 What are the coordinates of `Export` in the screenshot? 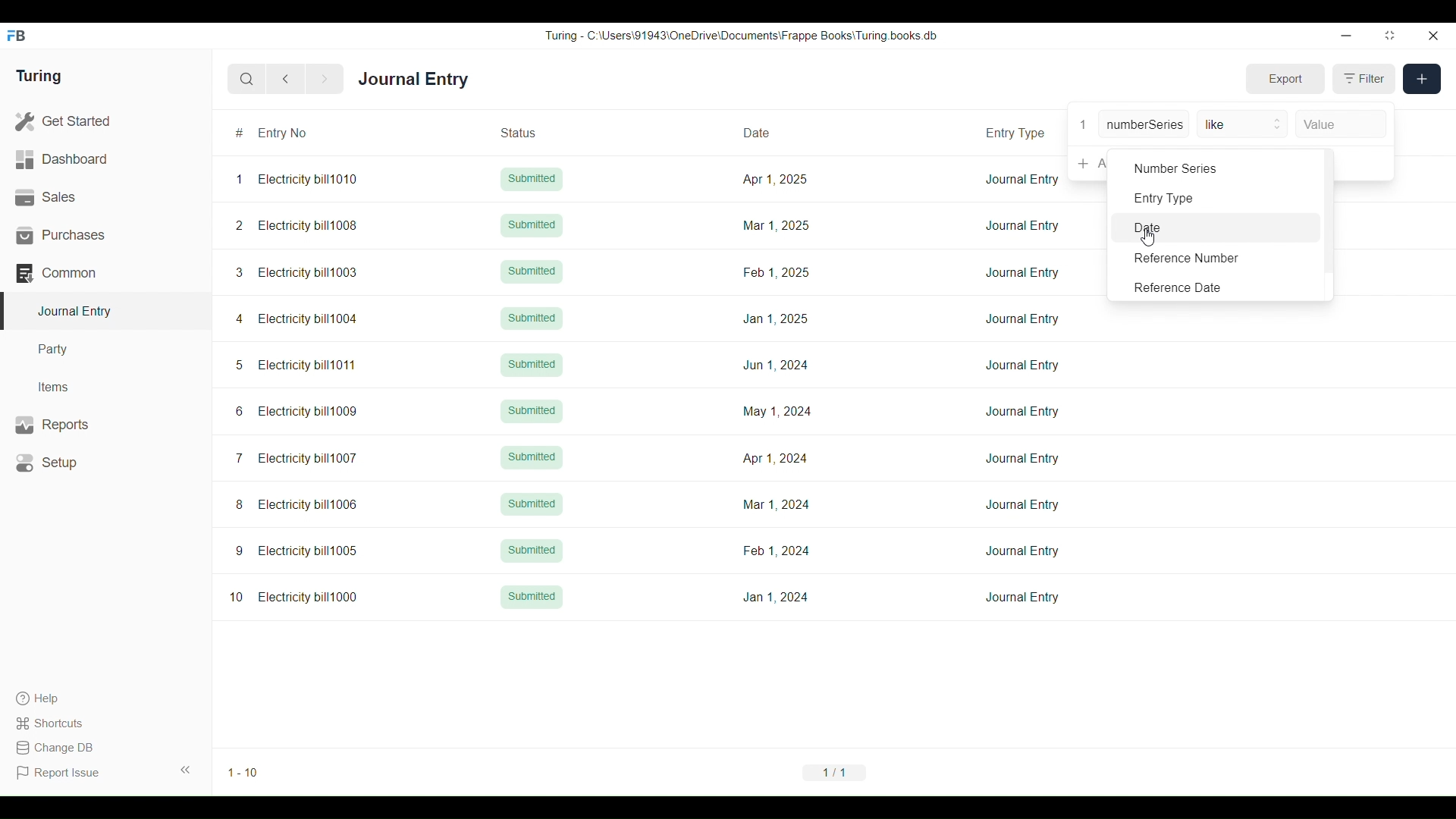 It's located at (1286, 79).